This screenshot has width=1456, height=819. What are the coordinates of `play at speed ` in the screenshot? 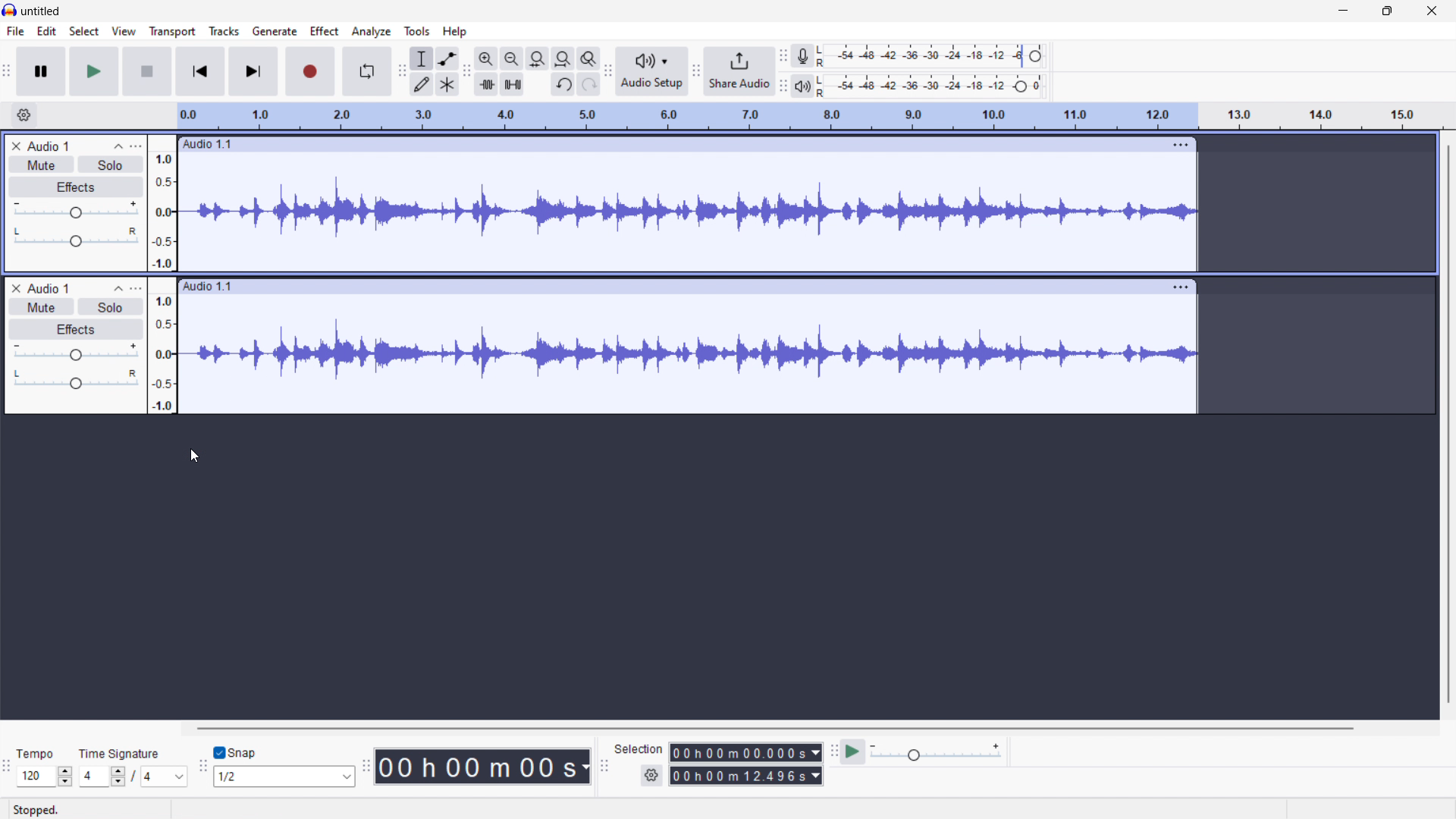 It's located at (852, 751).